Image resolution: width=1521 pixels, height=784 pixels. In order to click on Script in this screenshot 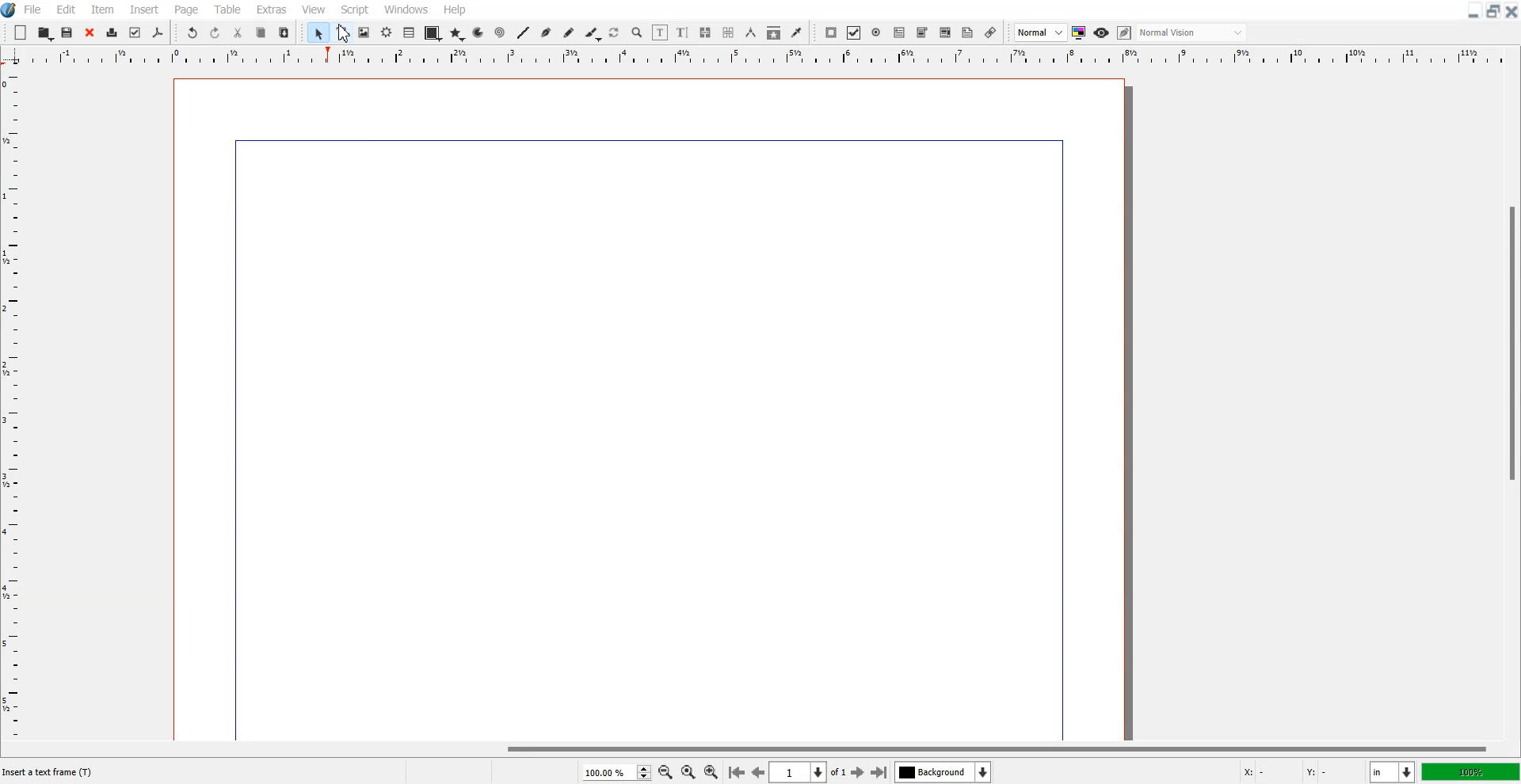, I will do `click(355, 9)`.